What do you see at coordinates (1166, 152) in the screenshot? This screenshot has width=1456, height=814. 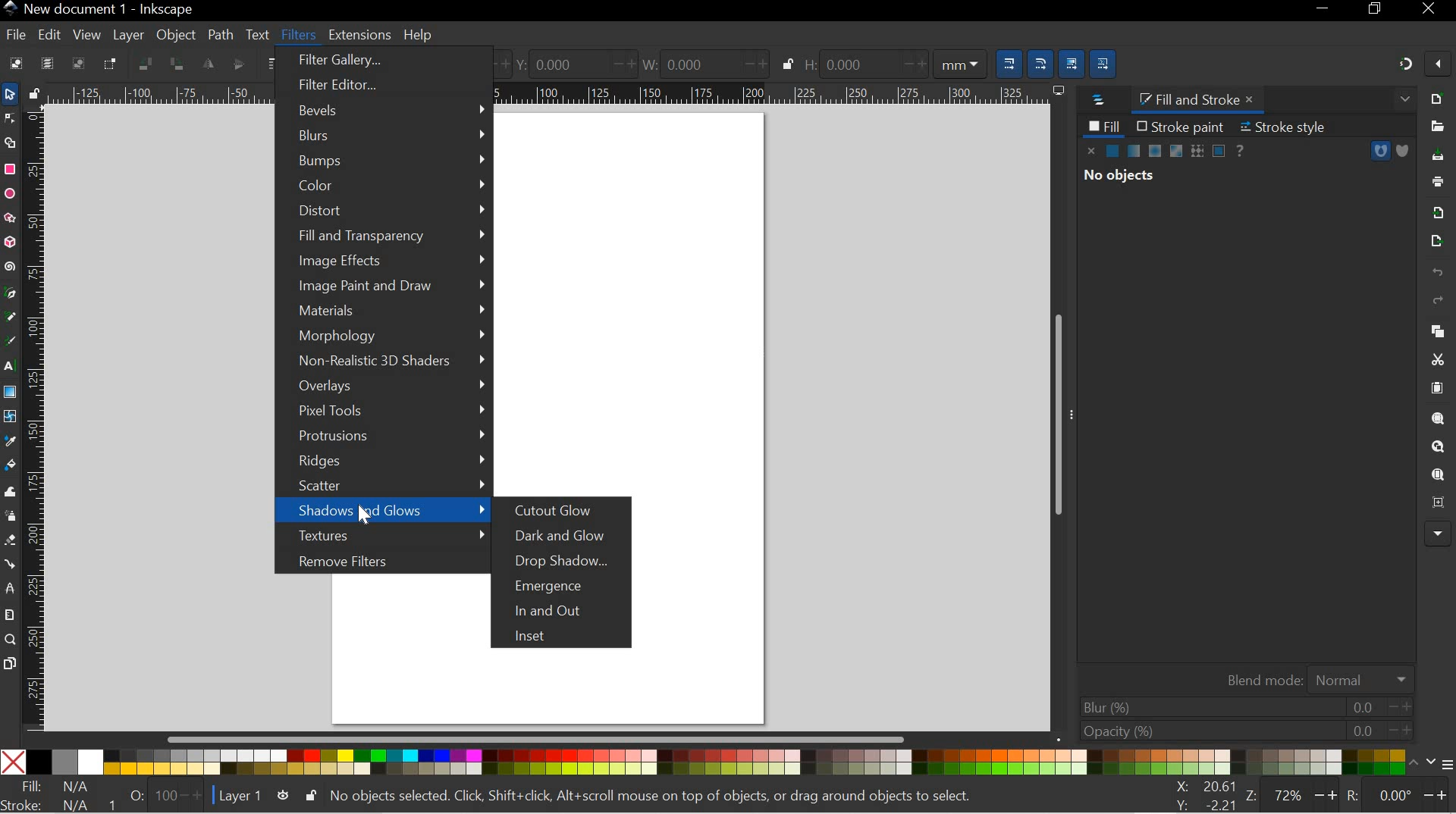 I see `COLOR AND GRADIENT` at bounding box center [1166, 152].